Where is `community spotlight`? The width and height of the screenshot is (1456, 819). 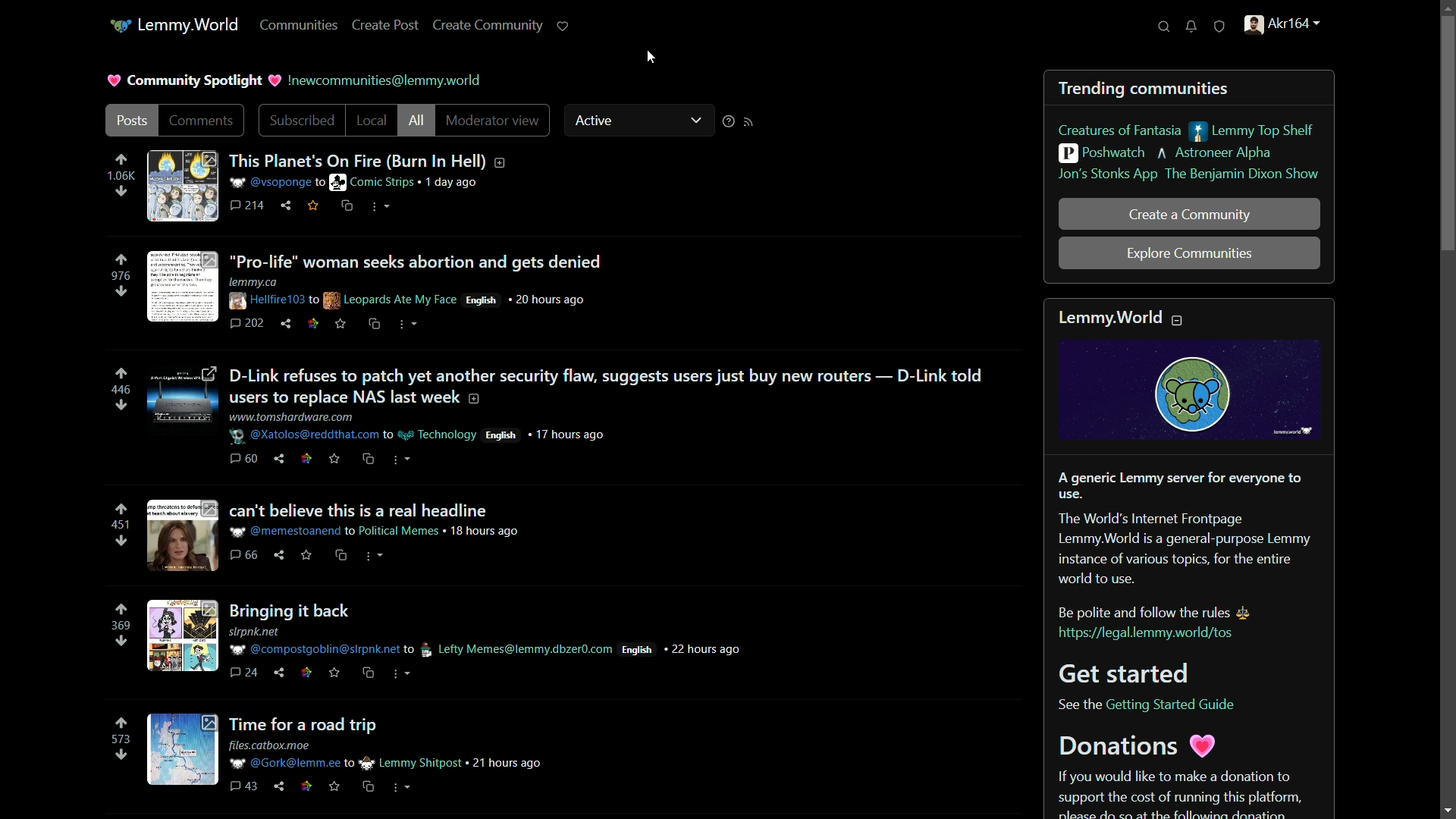 community spotlight is located at coordinates (196, 81).